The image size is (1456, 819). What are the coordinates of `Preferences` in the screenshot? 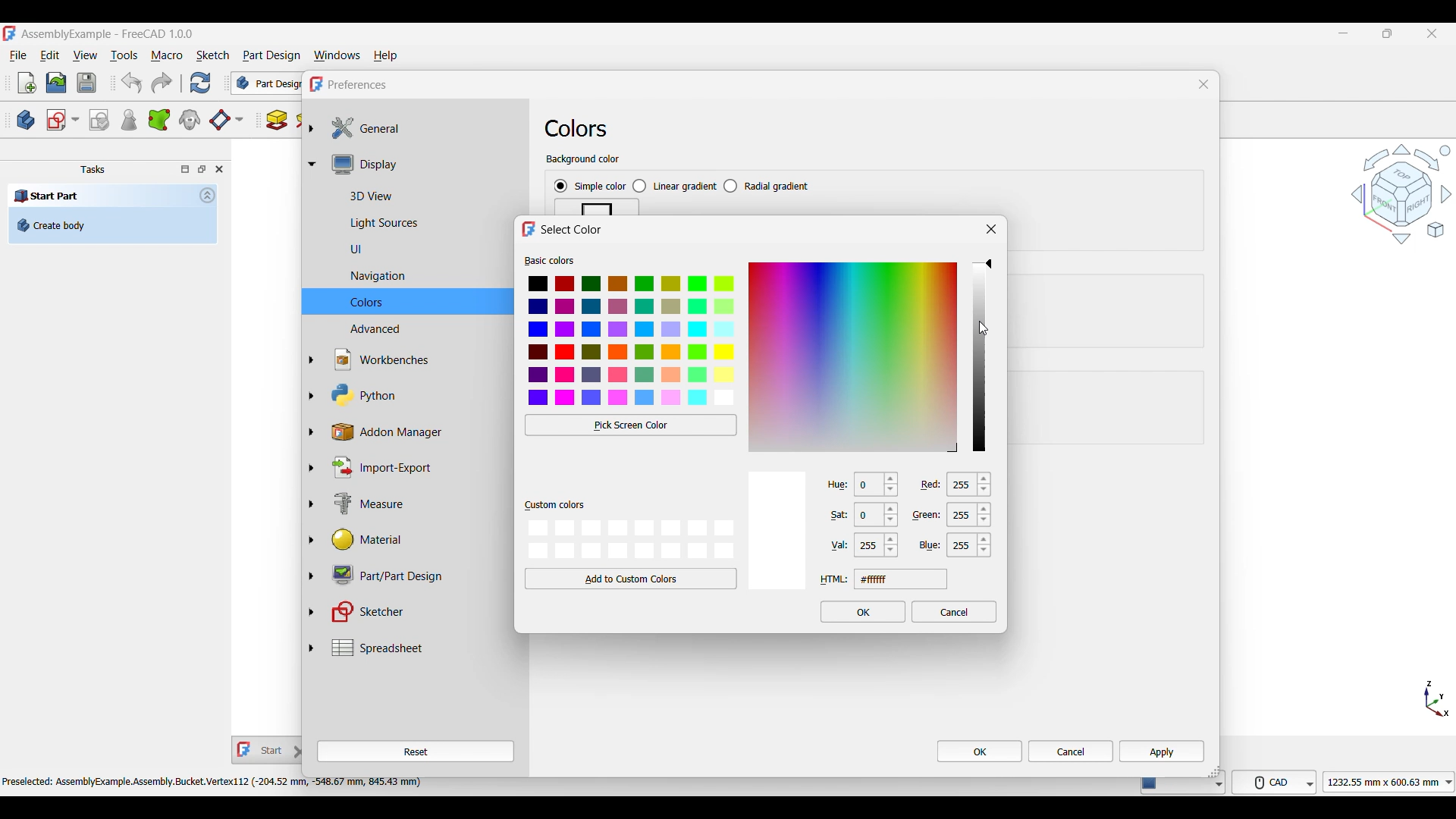 It's located at (358, 85).